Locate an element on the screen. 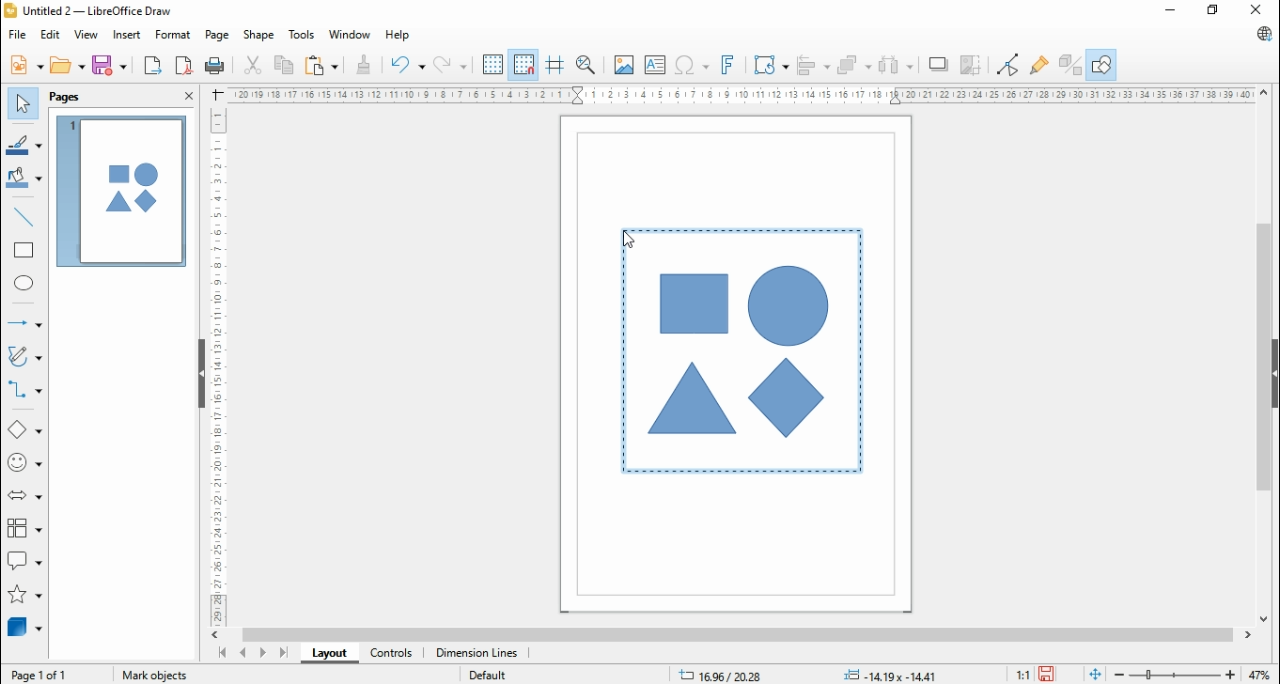 The height and width of the screenshot is (684, 1280). format is located at coordinates (174, 35).